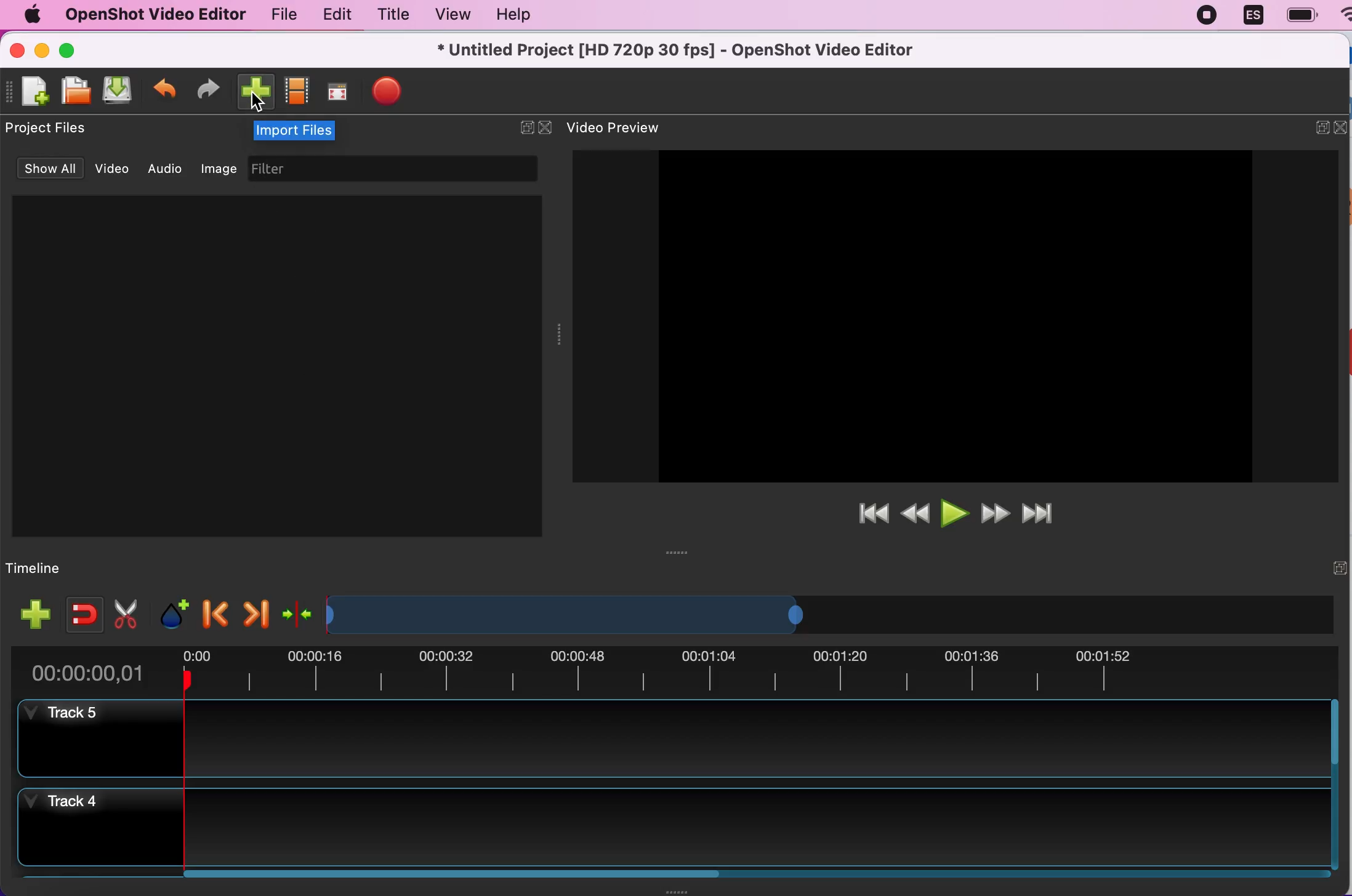 This screenshot has height=896, width=1352. What do you see at coordinates (395, 89) in the screenshot?
I see `export files` at bounding box center [395, 89].